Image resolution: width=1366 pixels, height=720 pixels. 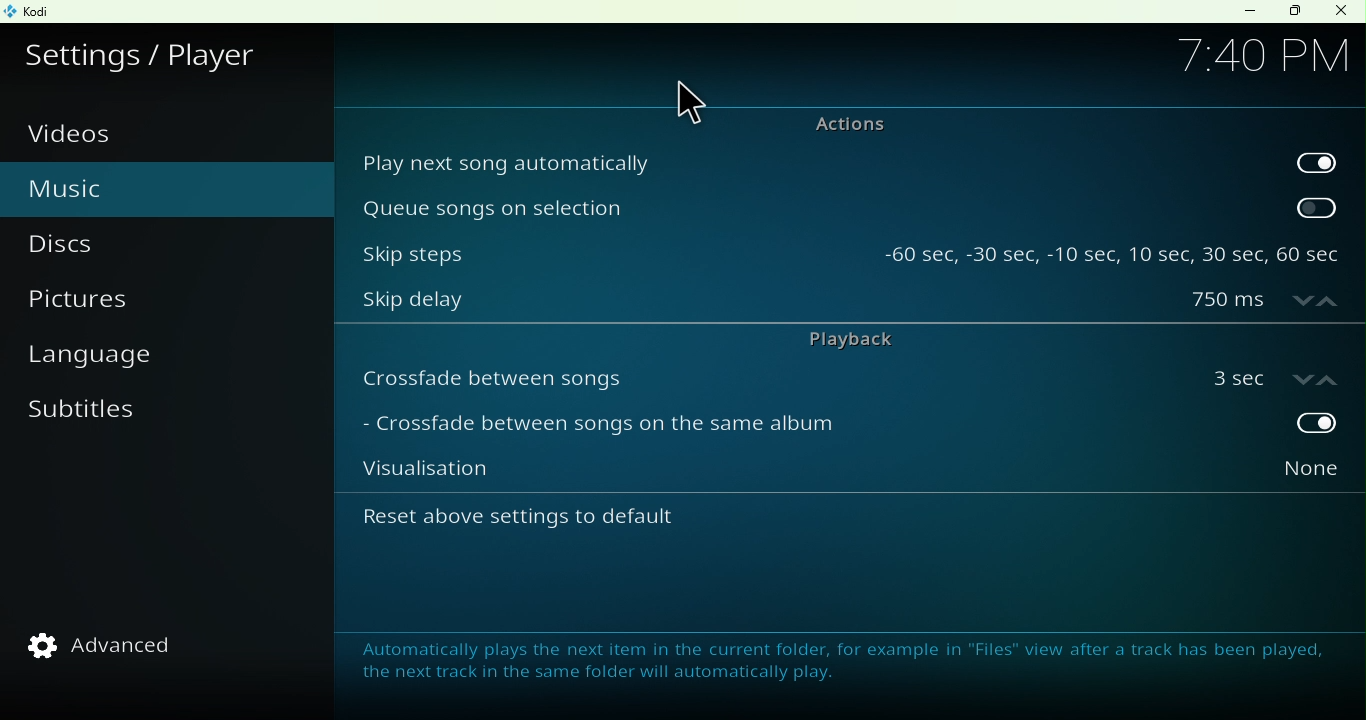 What do you see at coordinates (838, 123) in the screenshot?
I see `Actions` at bounding box center [838, 123].